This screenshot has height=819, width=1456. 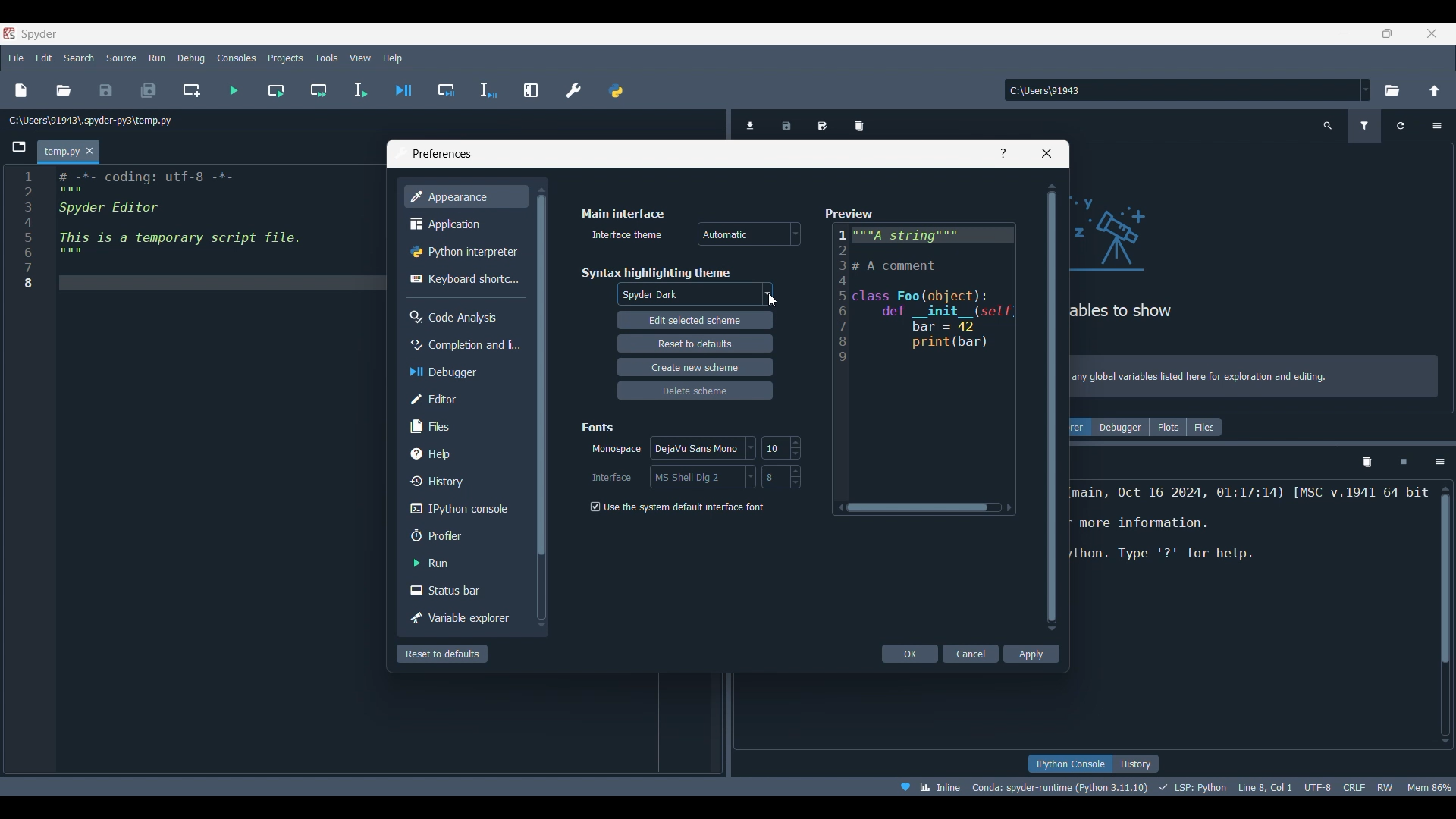 What do you see at coordinates (9, 33) in the screenshot?
I see `Software logo` at bounding box center [9, 33].